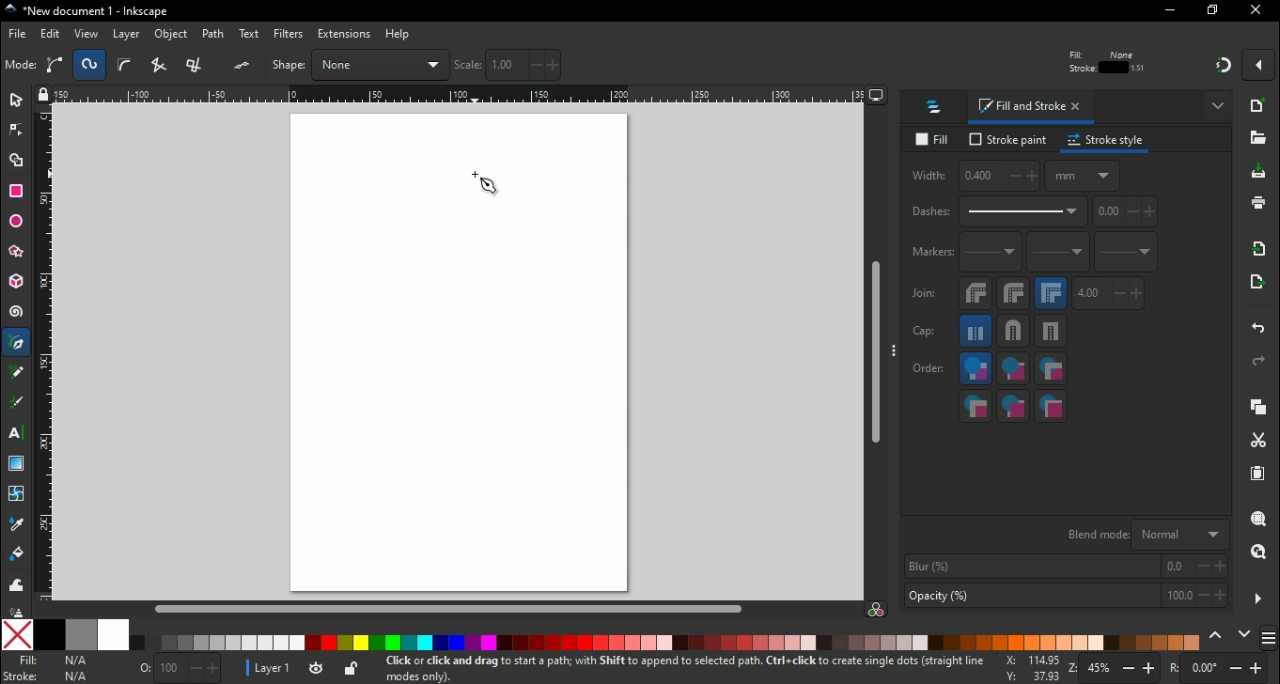 This screenshot has width=1280, height=684. What do you see at coordinates (17, 257) in the screenshot?
I see `star/polygon tool` at bounding box center [17, 257].